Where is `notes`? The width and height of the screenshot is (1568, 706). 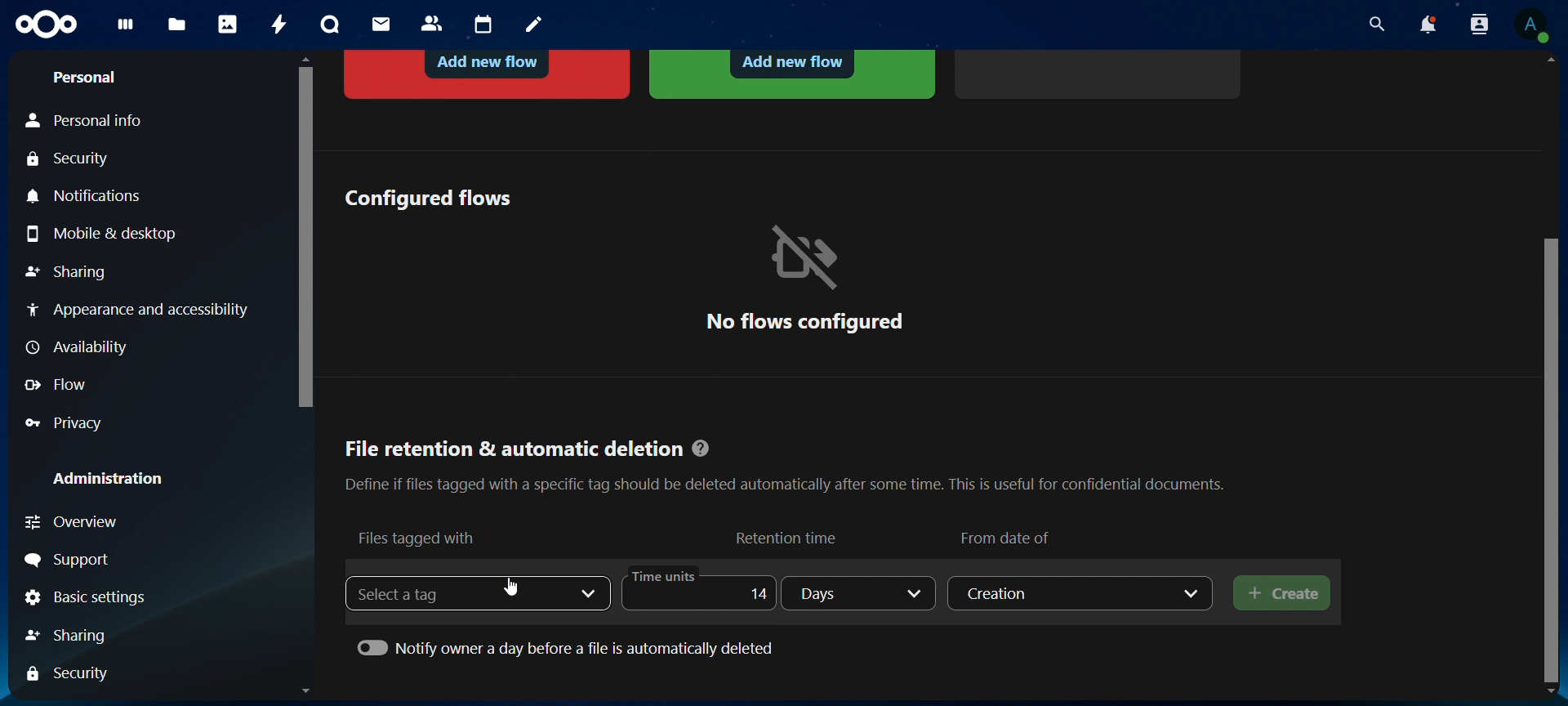
notes is located at coordinates (537, 25).